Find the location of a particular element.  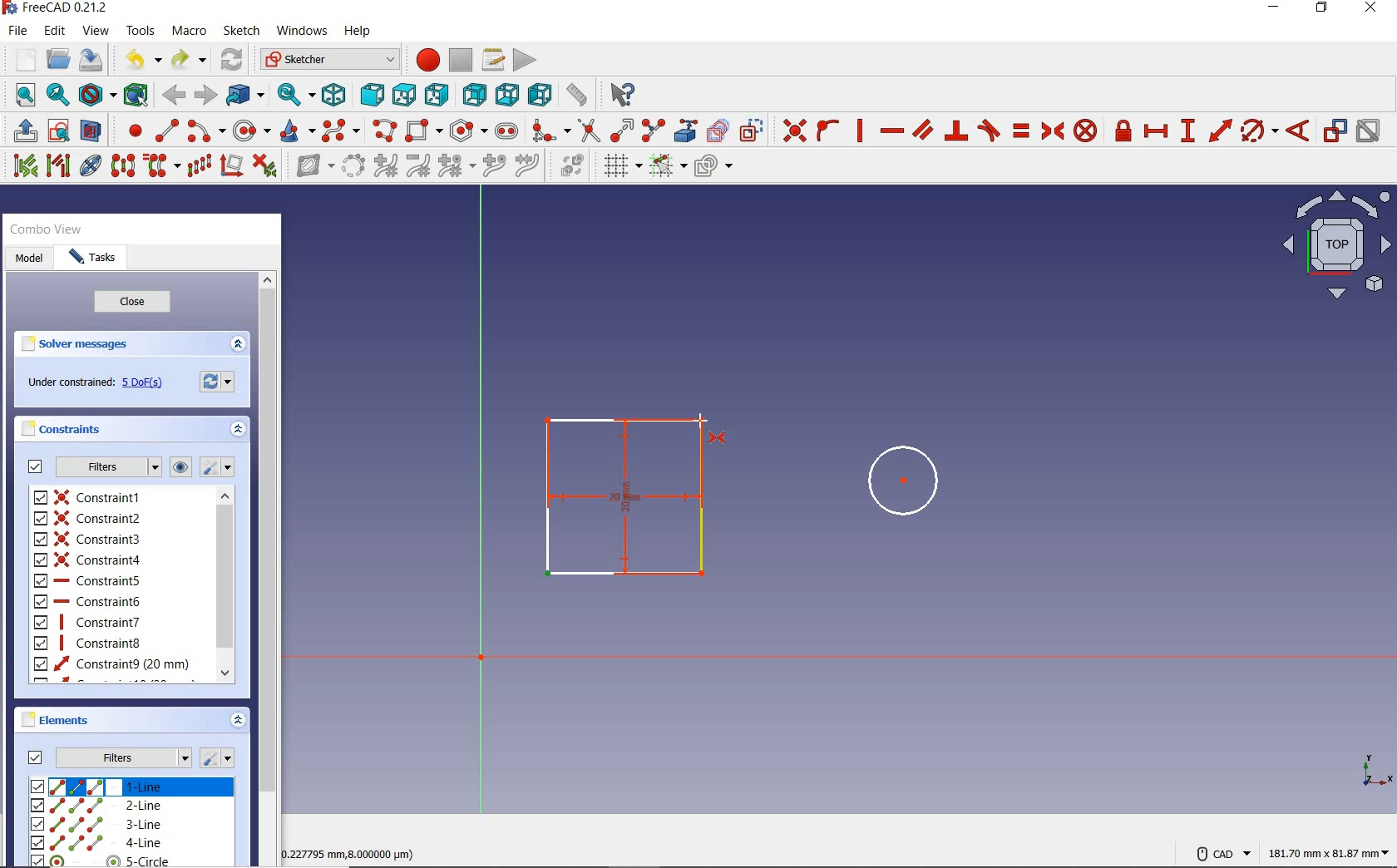

Plane view is located at coordinates (1337, 249).